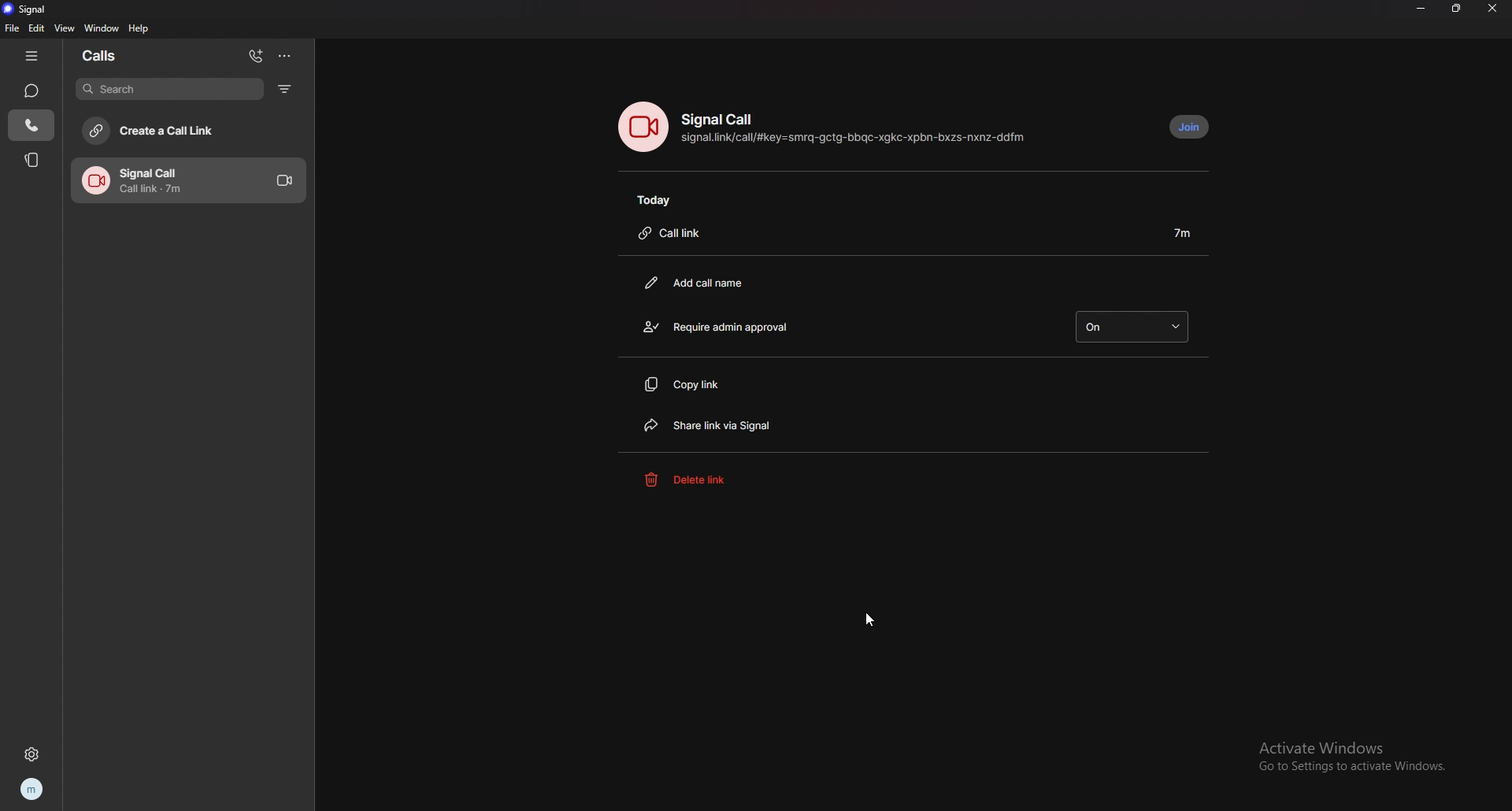 Image resolution: width=1512 pixels, height=811 pixels. I want to click on stories, so click(34, 159).